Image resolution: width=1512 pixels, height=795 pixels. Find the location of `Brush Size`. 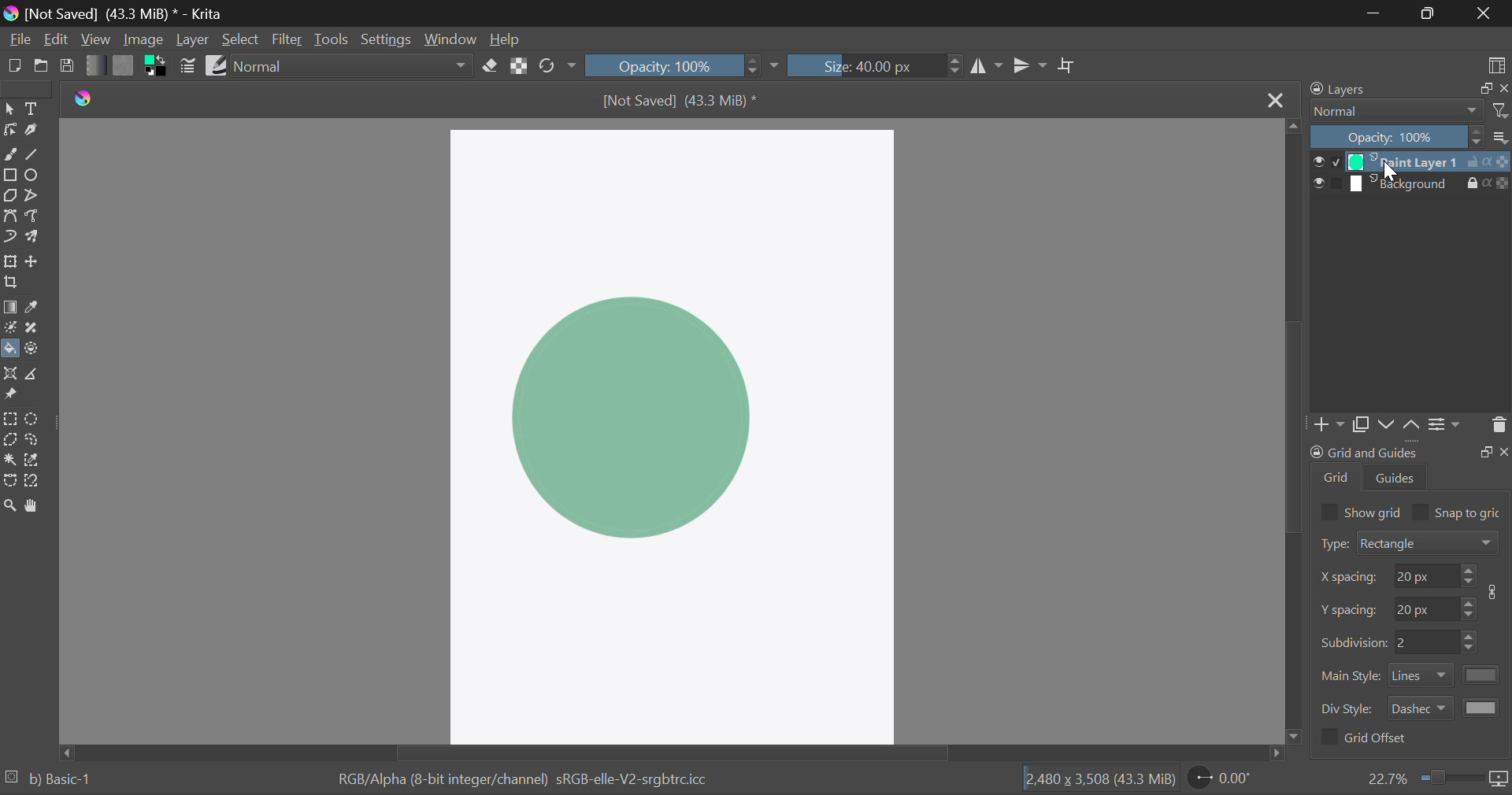

Brush Size is located at coordinates (873, 65).